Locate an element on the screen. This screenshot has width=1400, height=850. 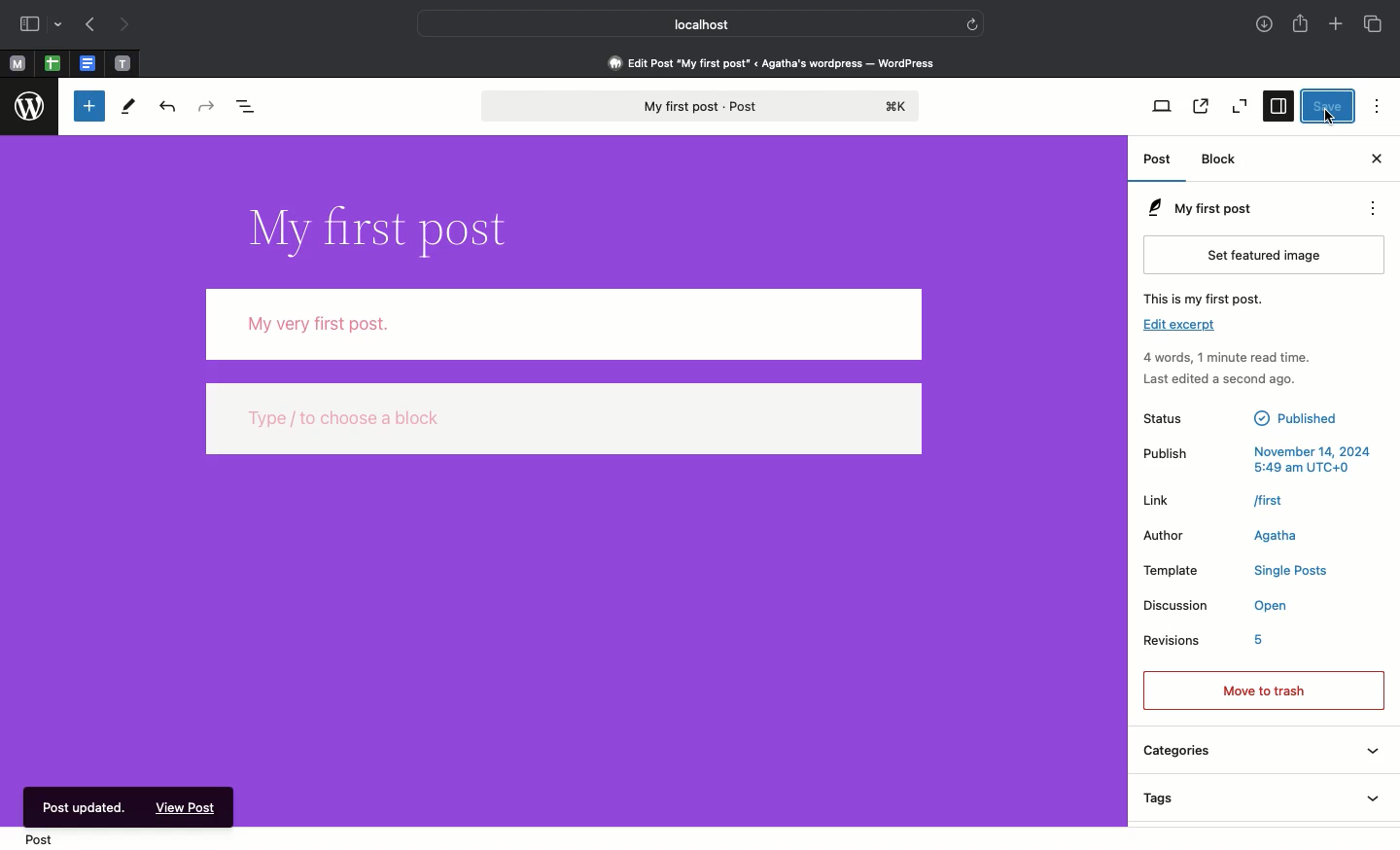
Activity is located at coordinates (1226, 358).